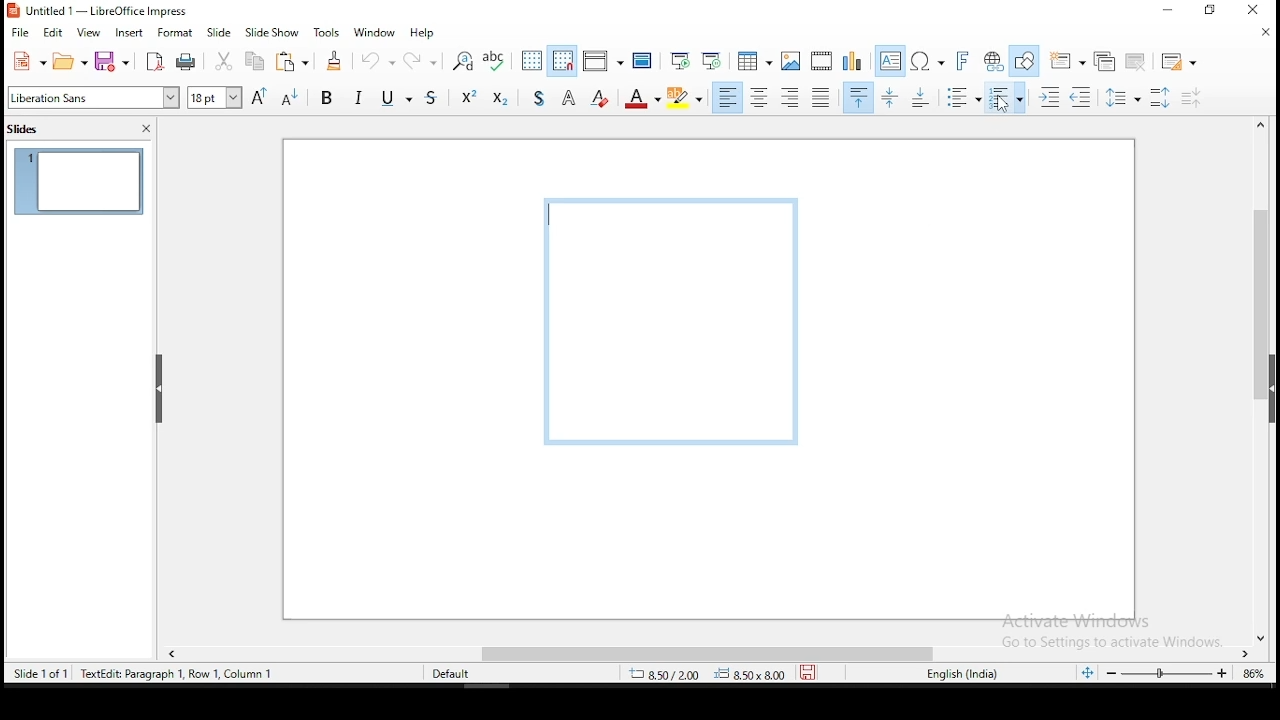  I want to click on duplicate slide, so click(1102, 59).